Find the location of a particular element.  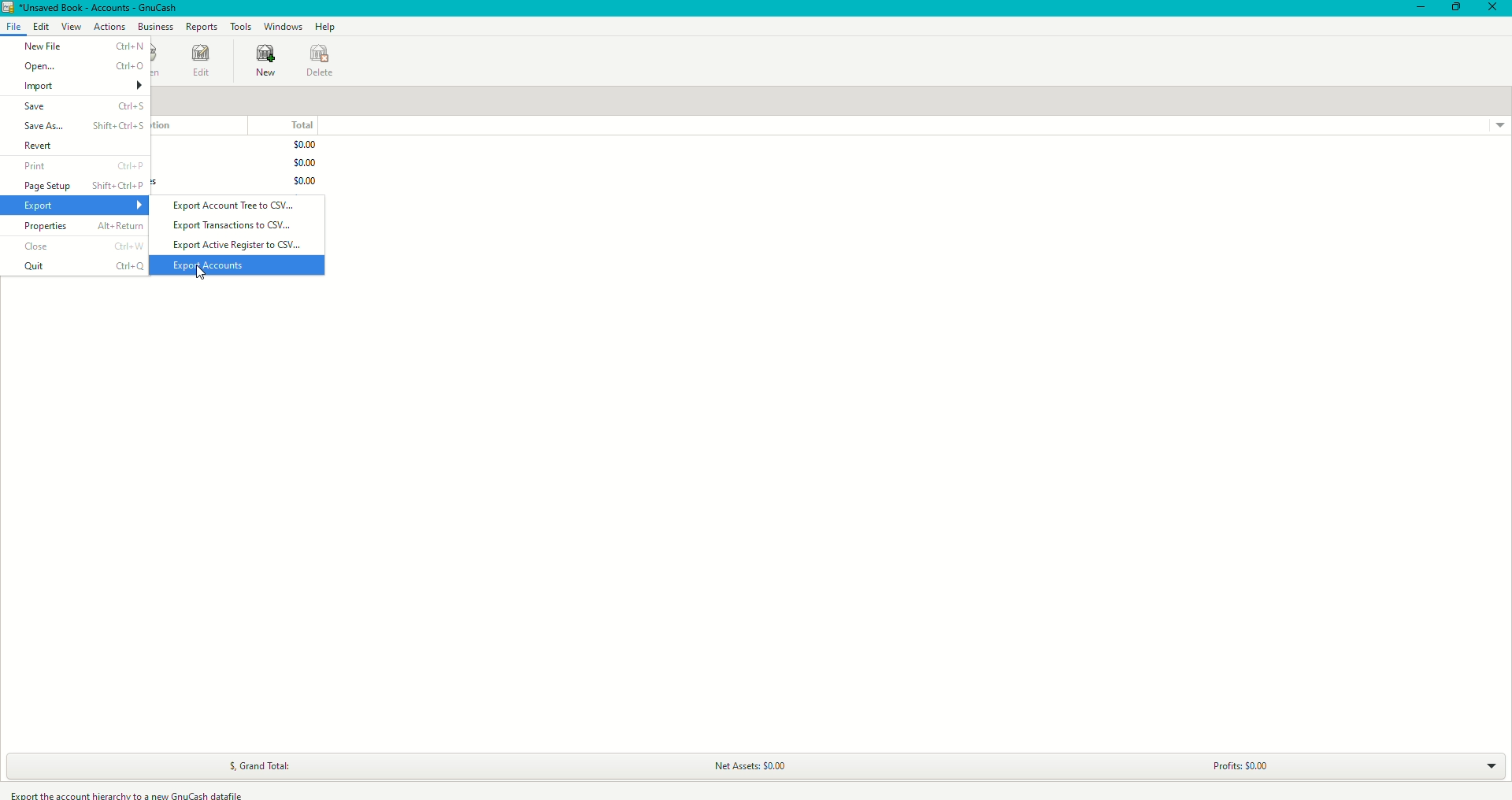

Close is located at coordinates (1495, 8).